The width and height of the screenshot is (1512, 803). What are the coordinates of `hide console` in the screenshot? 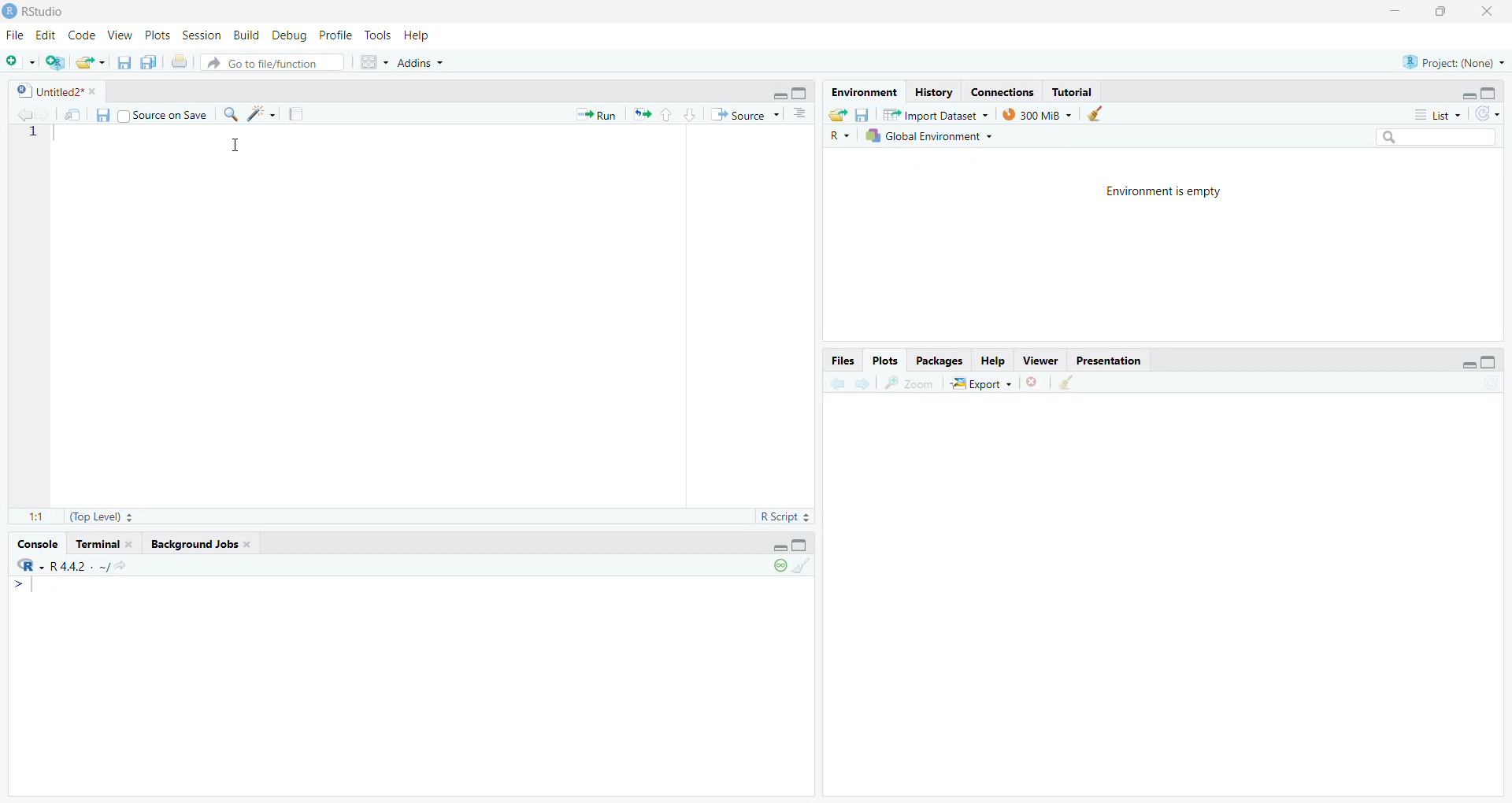 It's located at (1488, 362).